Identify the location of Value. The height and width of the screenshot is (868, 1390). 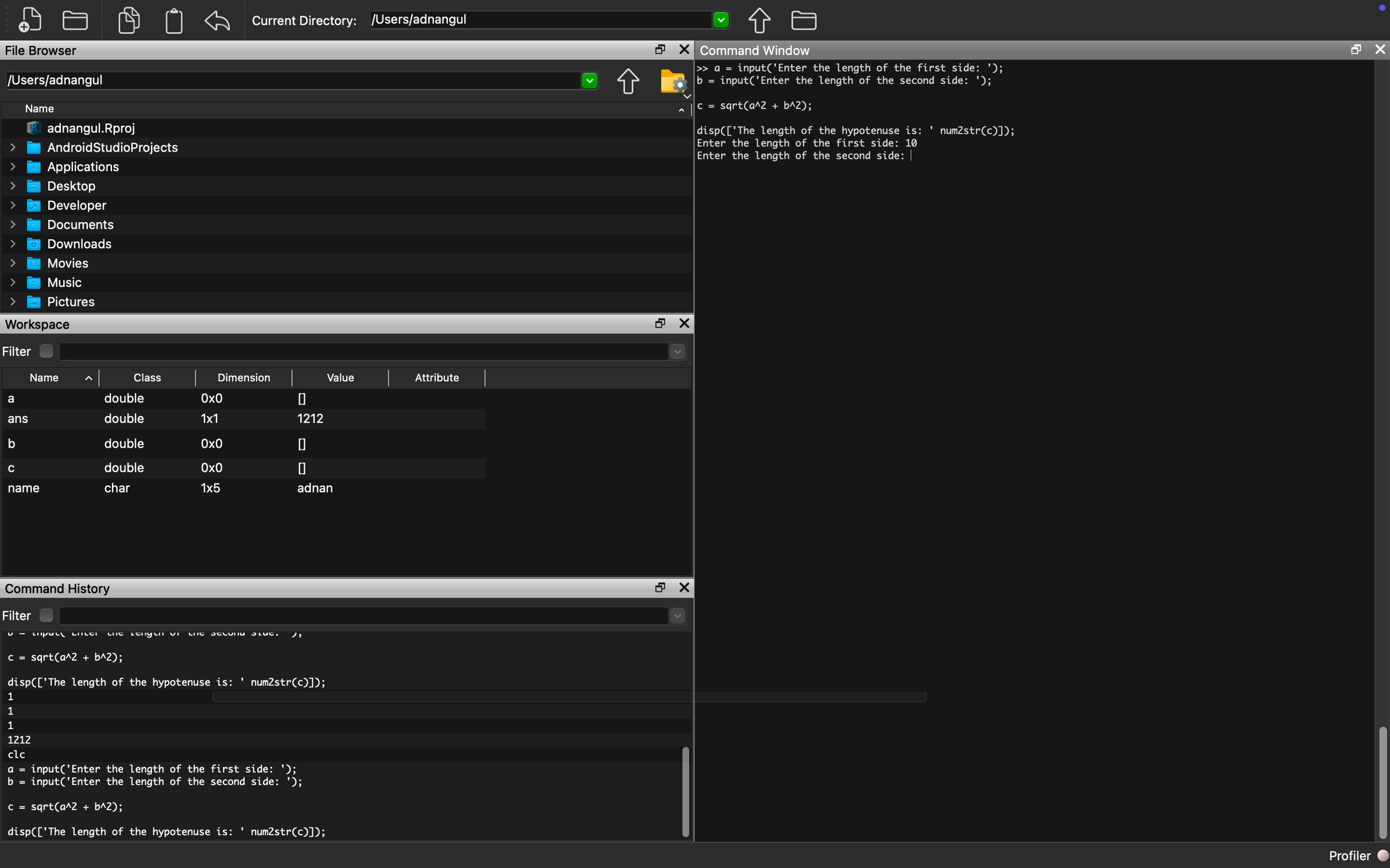
(343, 378).